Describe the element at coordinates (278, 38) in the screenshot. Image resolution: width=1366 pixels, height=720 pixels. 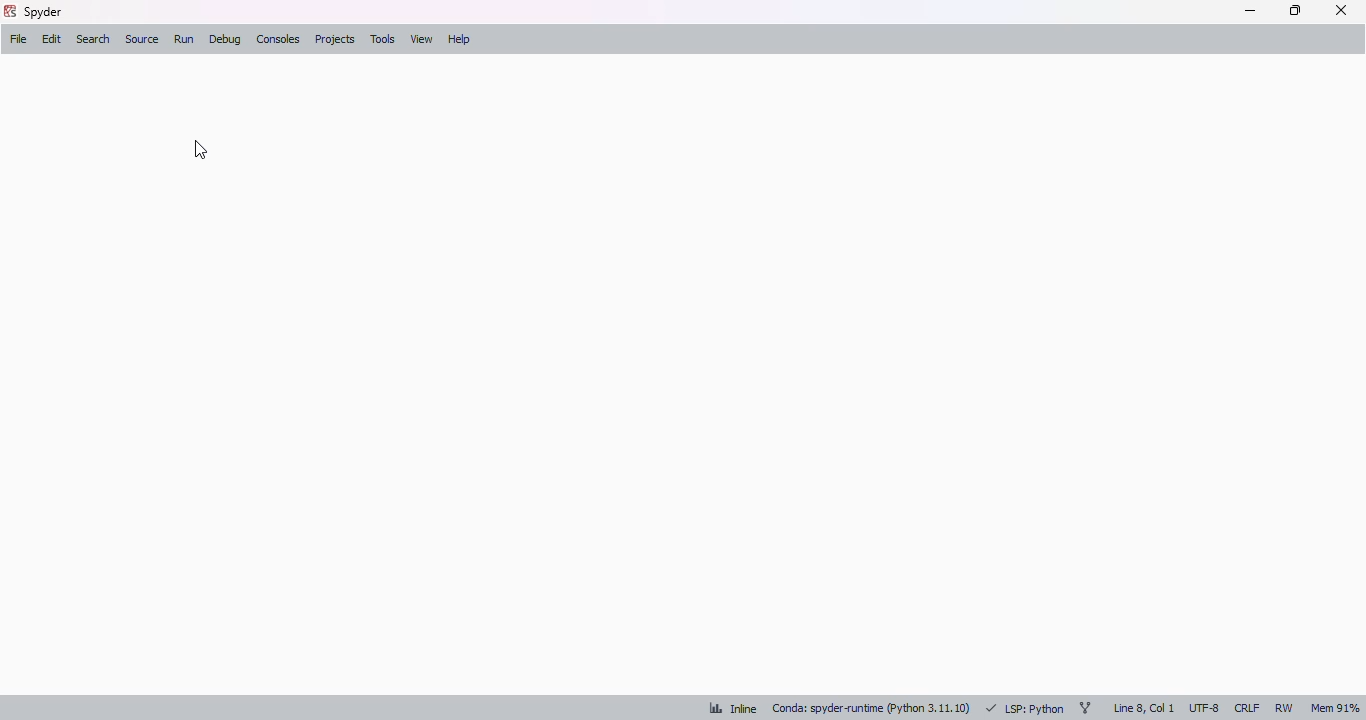
I see `consoles` at that location.